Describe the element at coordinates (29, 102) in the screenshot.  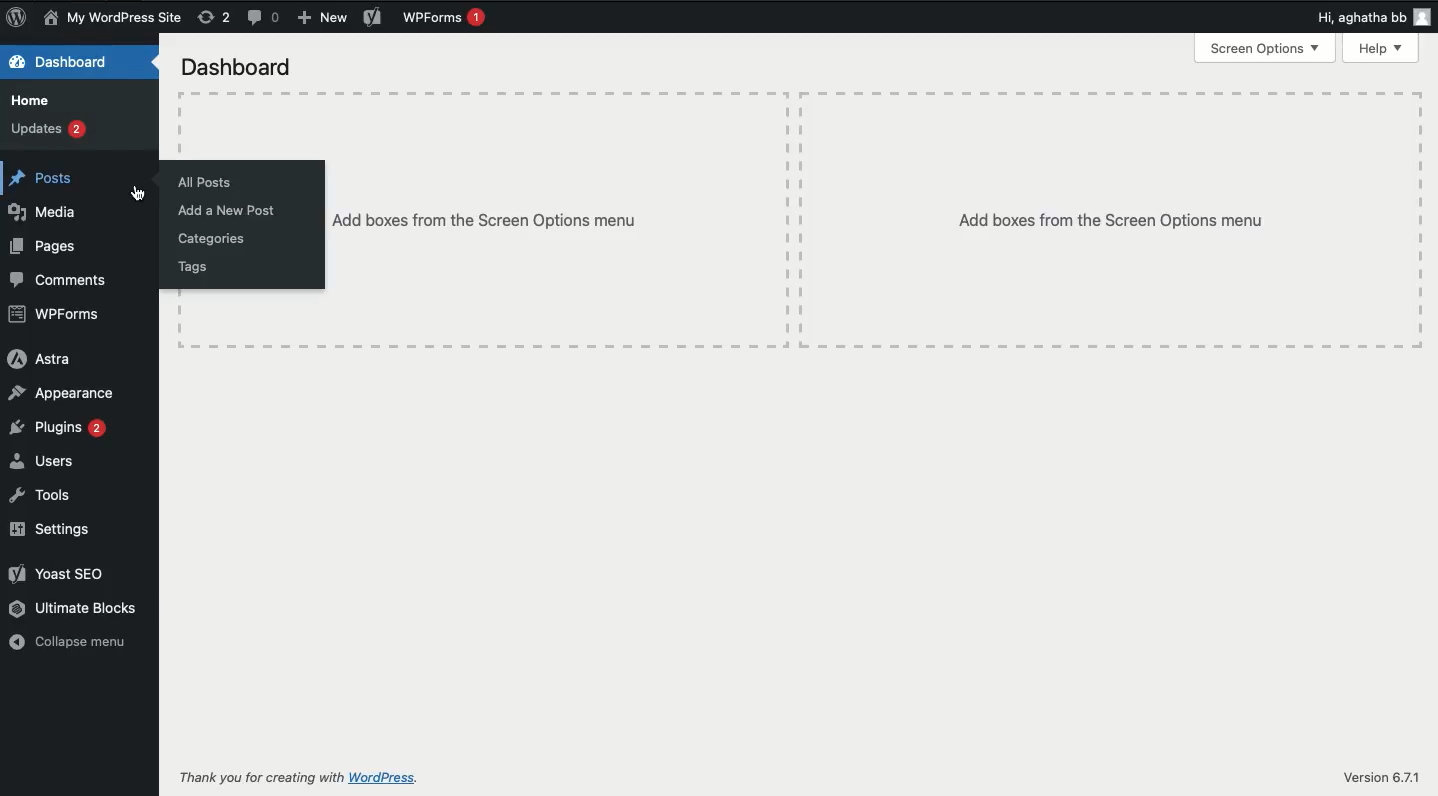
I see `Home` at that location.